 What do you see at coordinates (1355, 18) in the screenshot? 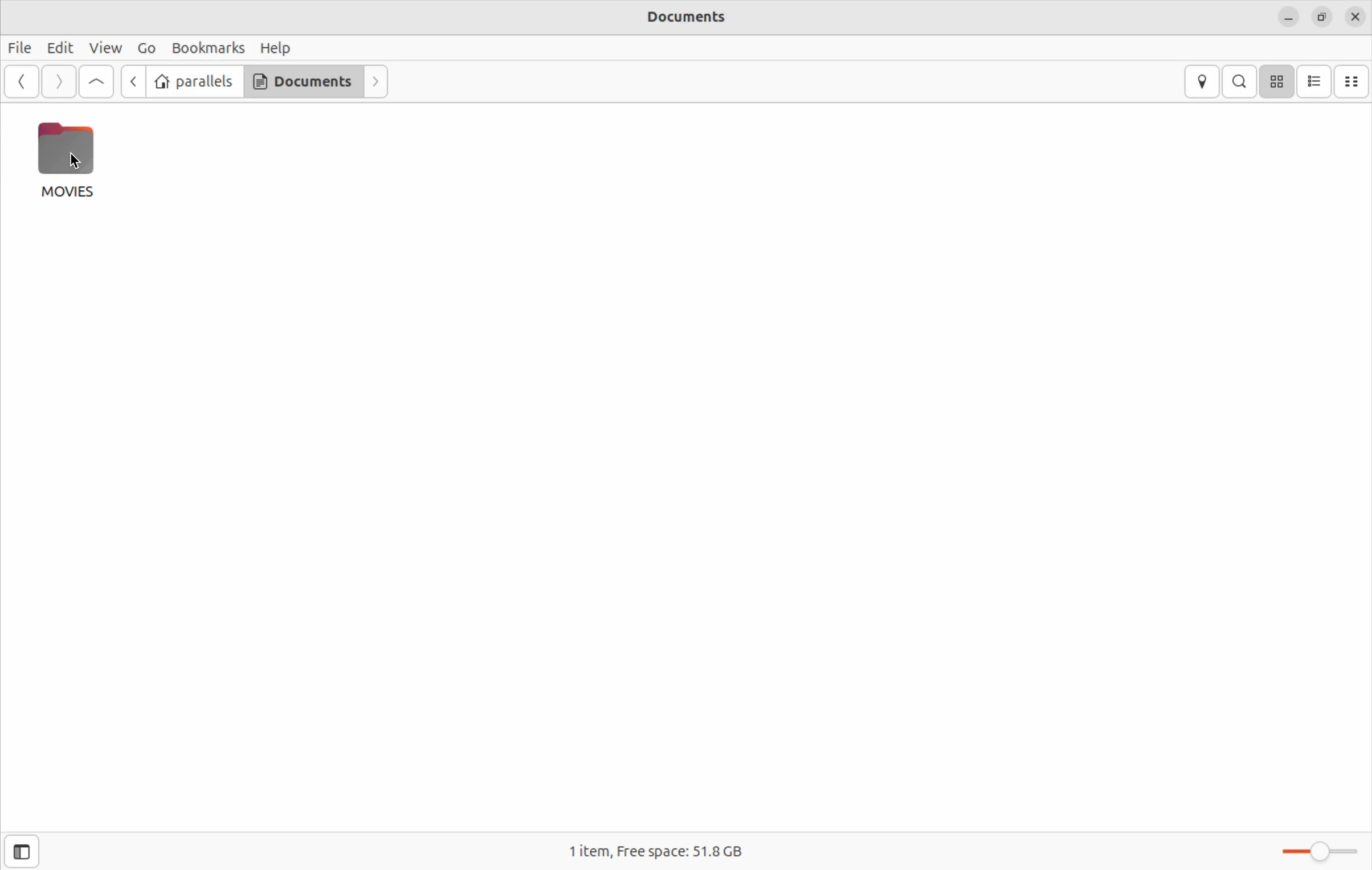
I see `close` at bounding box center [1355, 18].